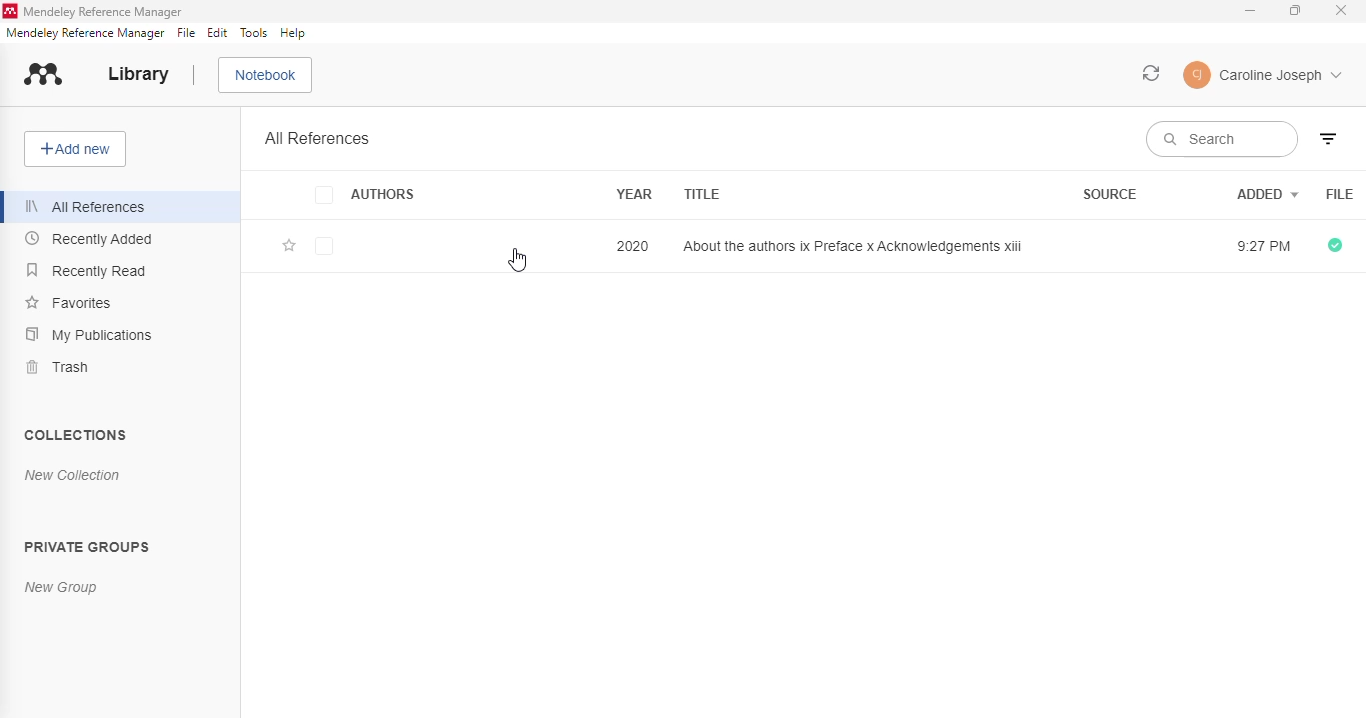  I want to click on collections, so click(74, 434).